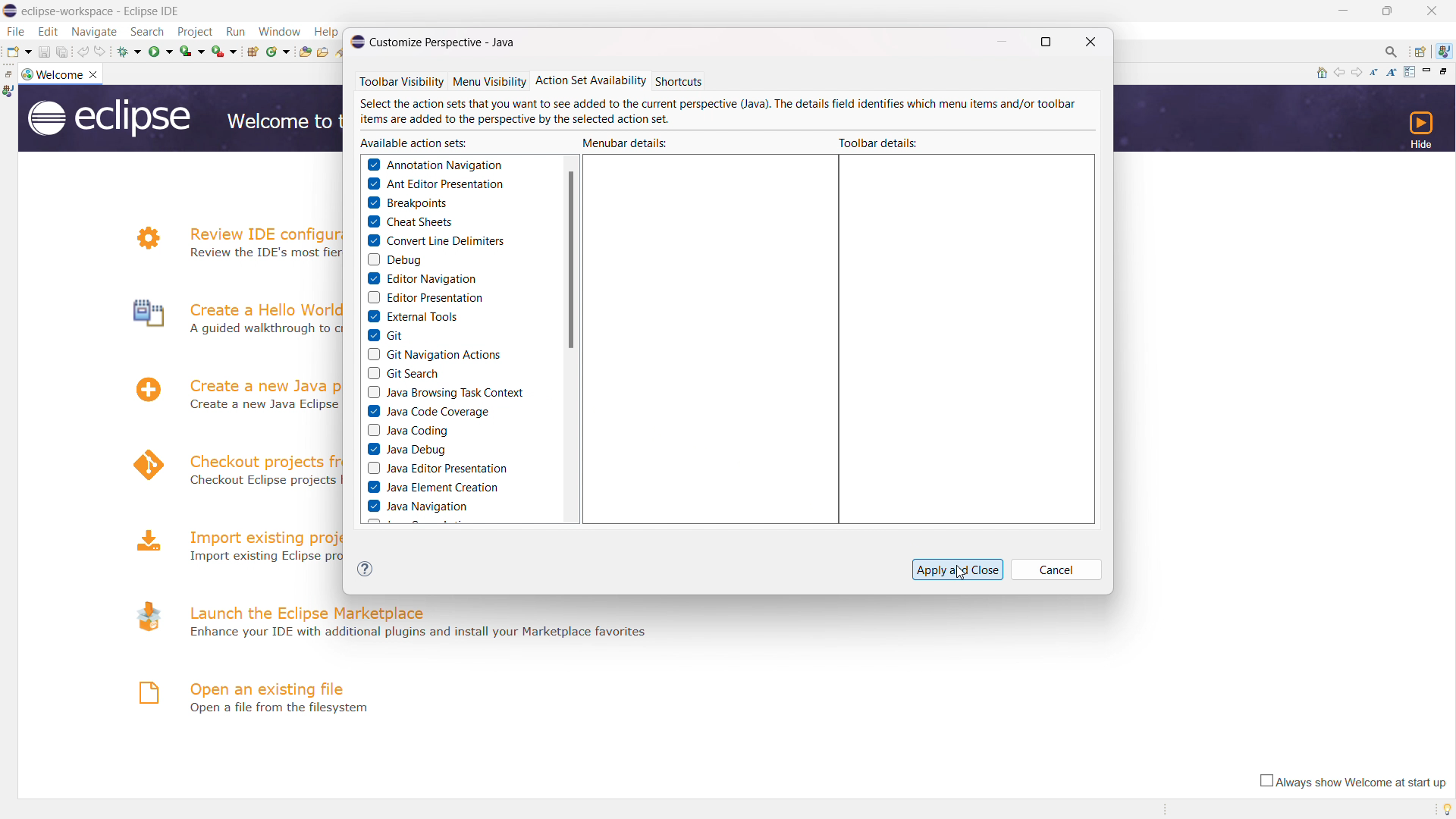 This screenshot has width=1456, height=819. Describe the element at coordinates (224, 51) in the screenshot. I see `run last tool` at that location.